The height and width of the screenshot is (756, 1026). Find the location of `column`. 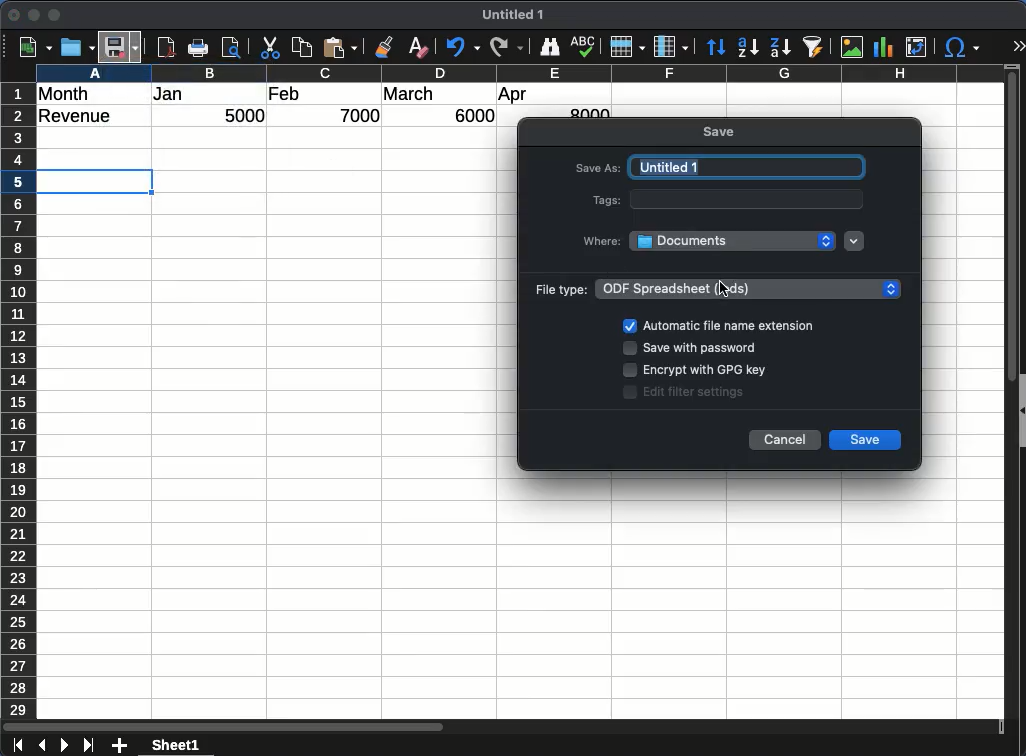

column is located at coordinates (519, 72).